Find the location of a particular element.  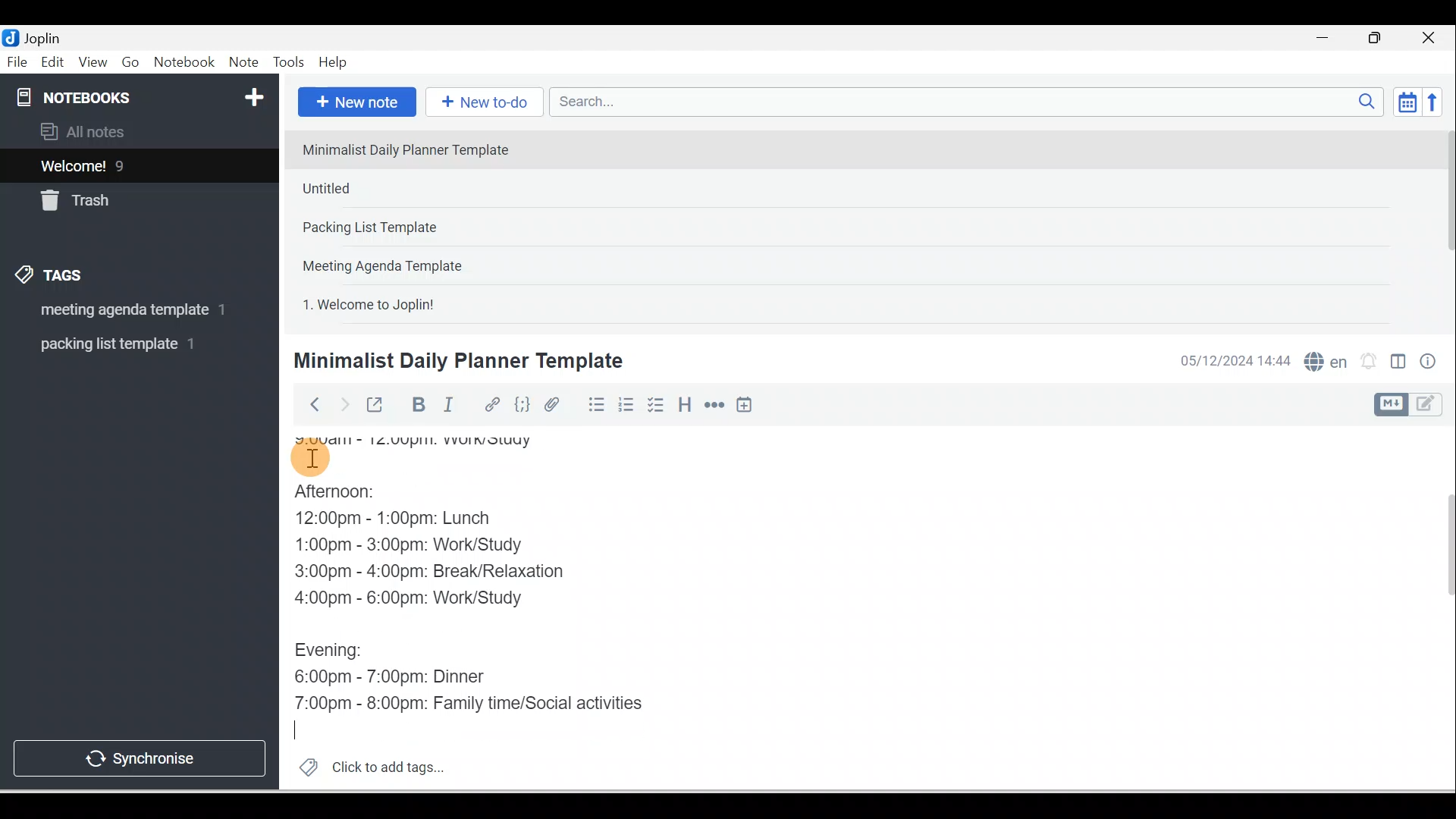

Search bar is located at coordinates (971, 102).